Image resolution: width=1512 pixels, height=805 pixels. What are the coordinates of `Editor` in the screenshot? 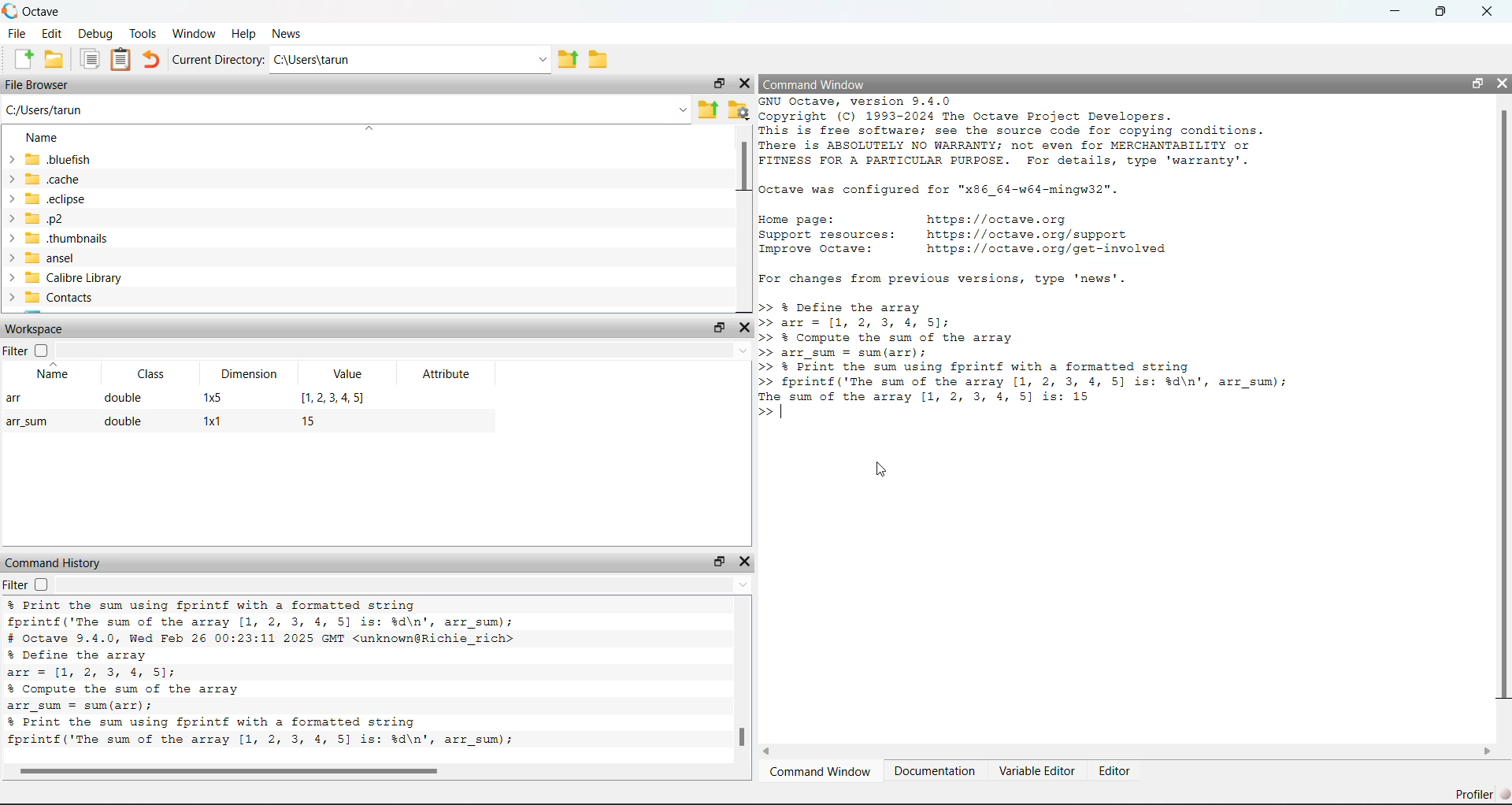 It's located at (1117, 773).